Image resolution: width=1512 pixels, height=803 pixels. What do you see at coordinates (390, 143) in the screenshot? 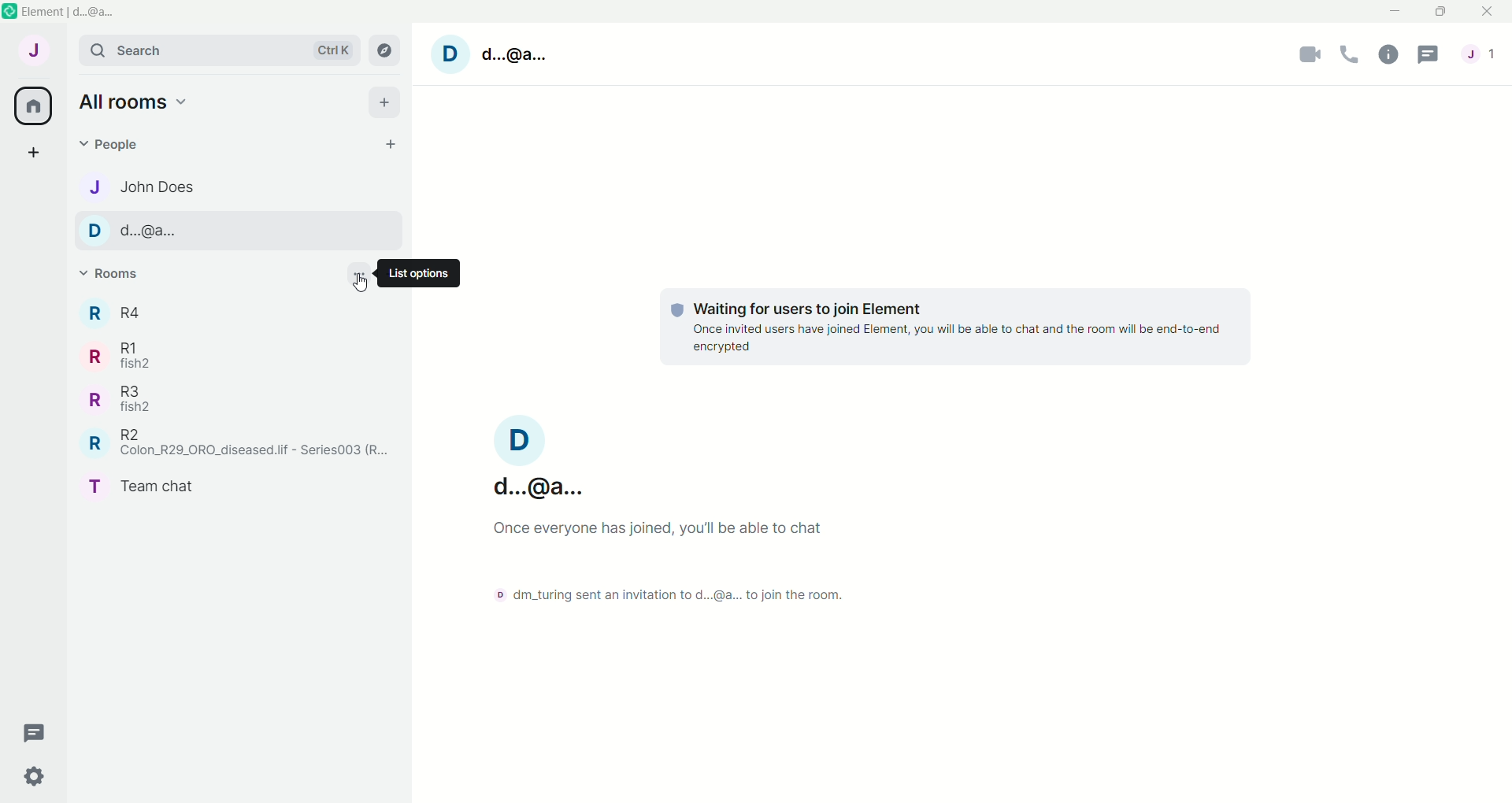
I see `Start chat` at bounding box center [390, 143].